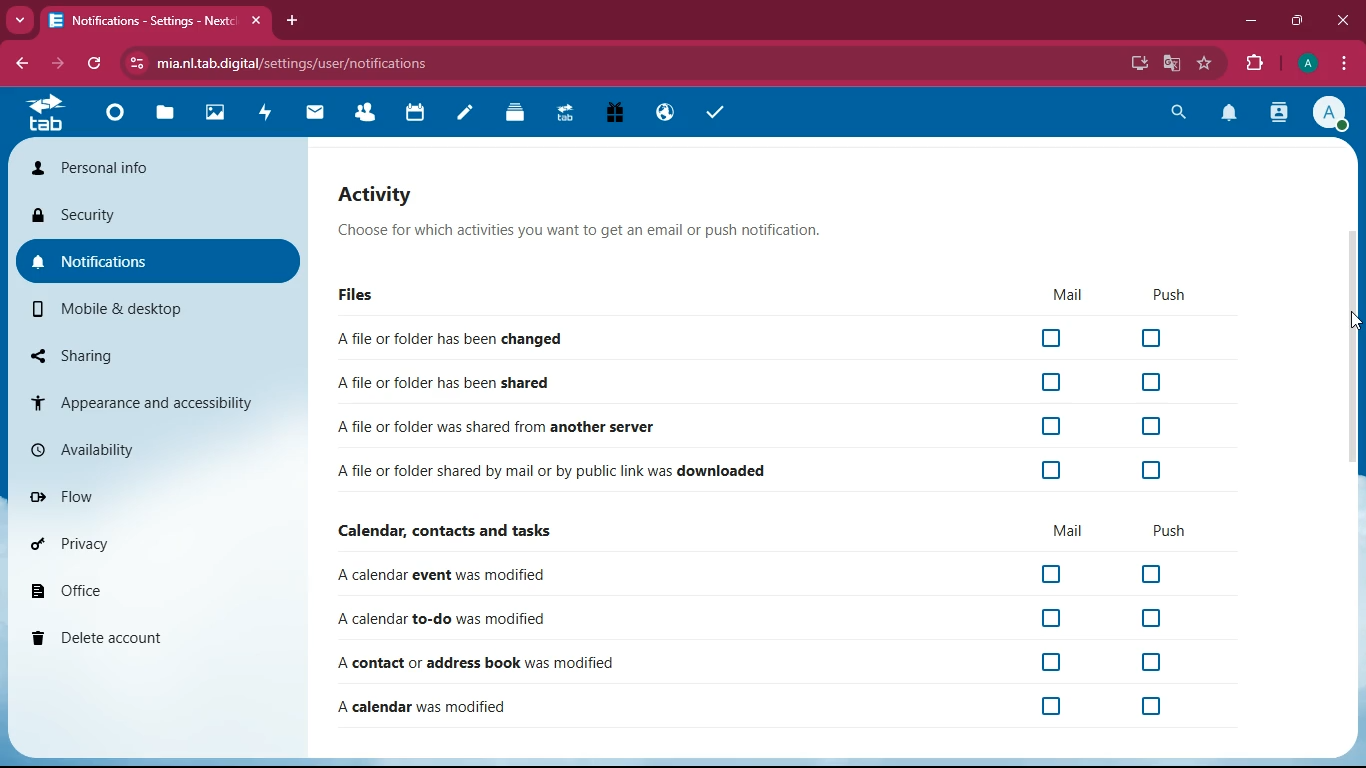 The image size is (1366, 768). Describe the element at coordinates (748, 710) in the screenshot. I see `A calendar was modified` at that location.